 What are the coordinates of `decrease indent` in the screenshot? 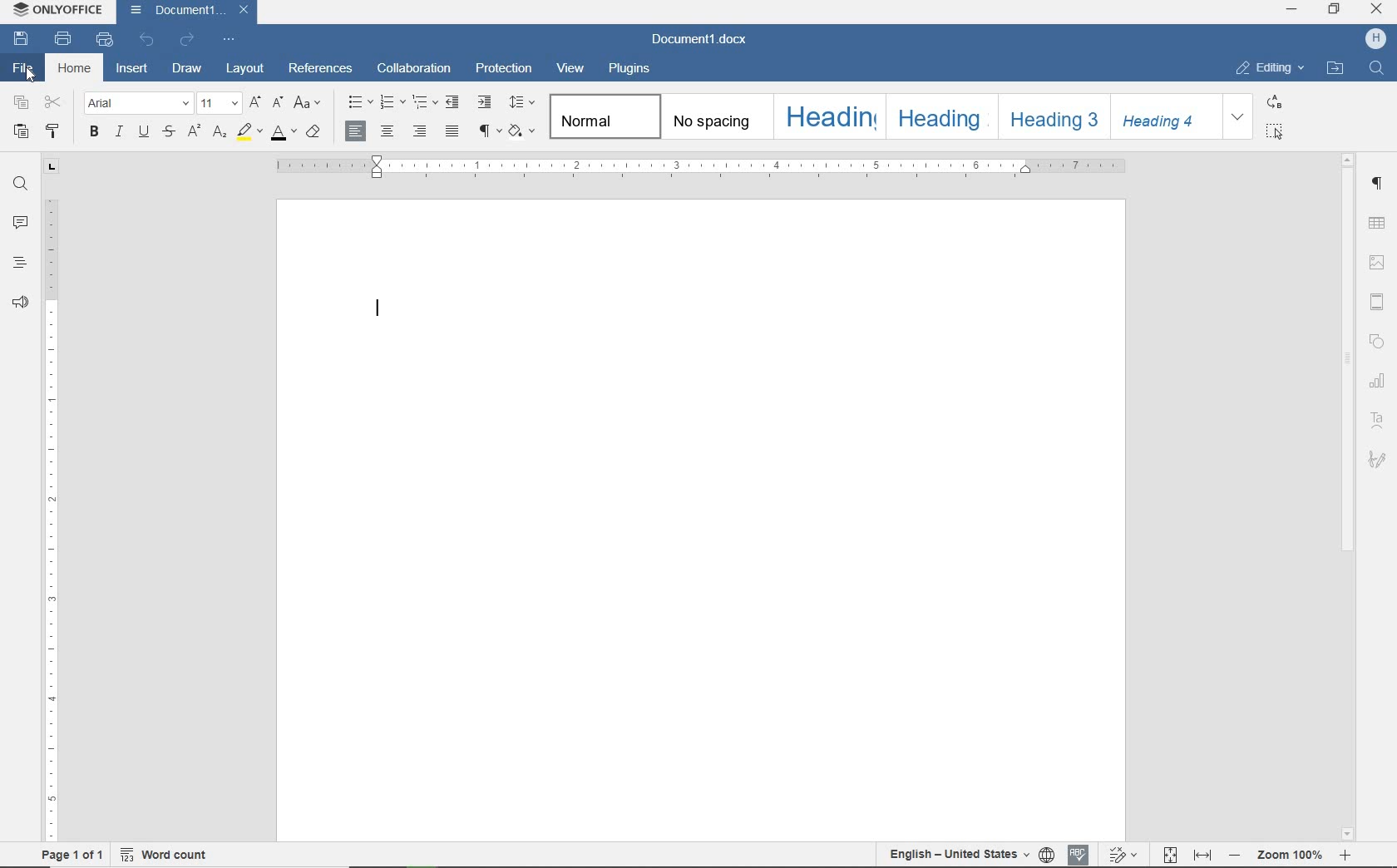 It's located at (453, 104).